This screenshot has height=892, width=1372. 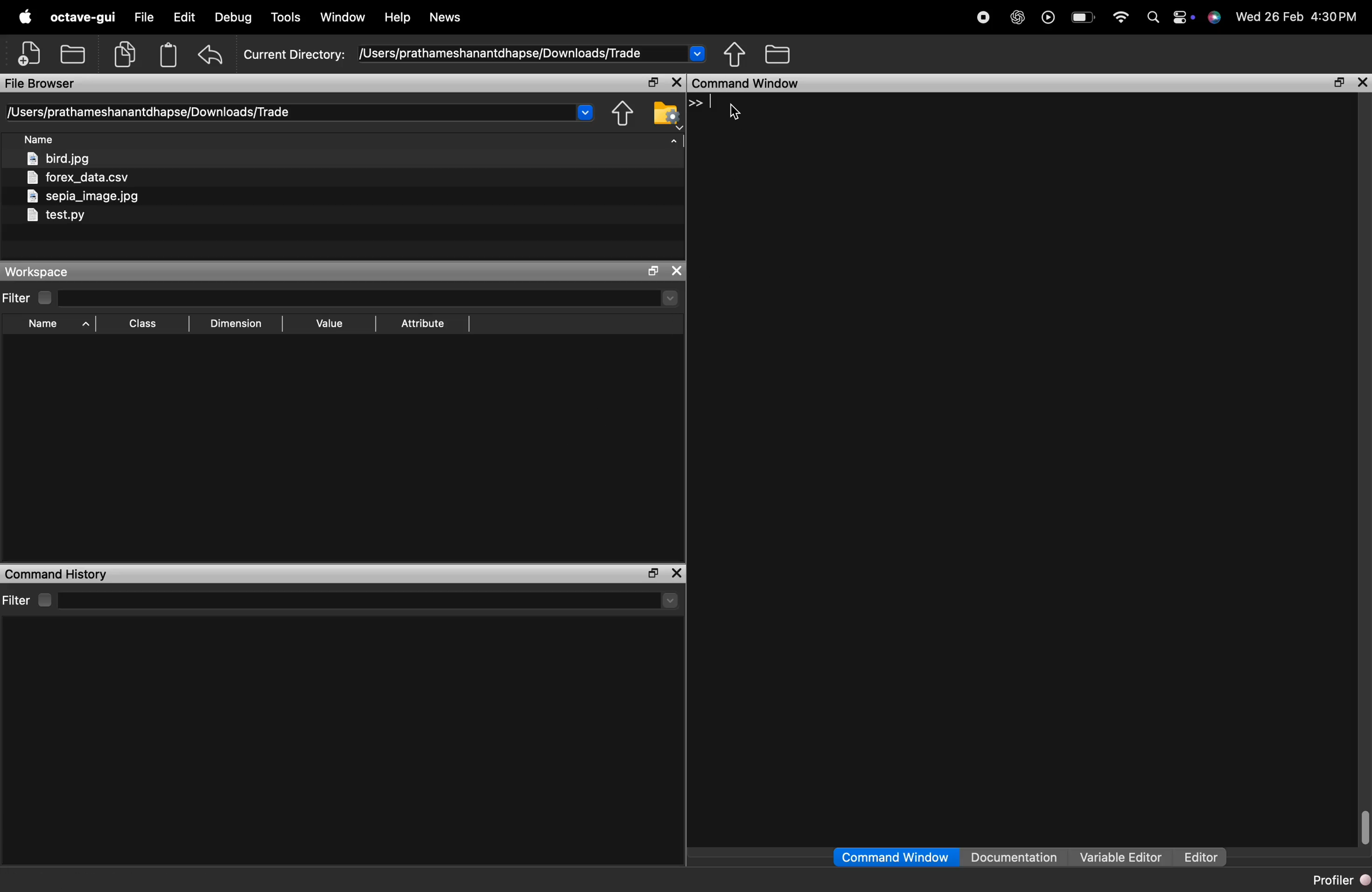 I want to click on wifi, so click(x=1121, y=20).